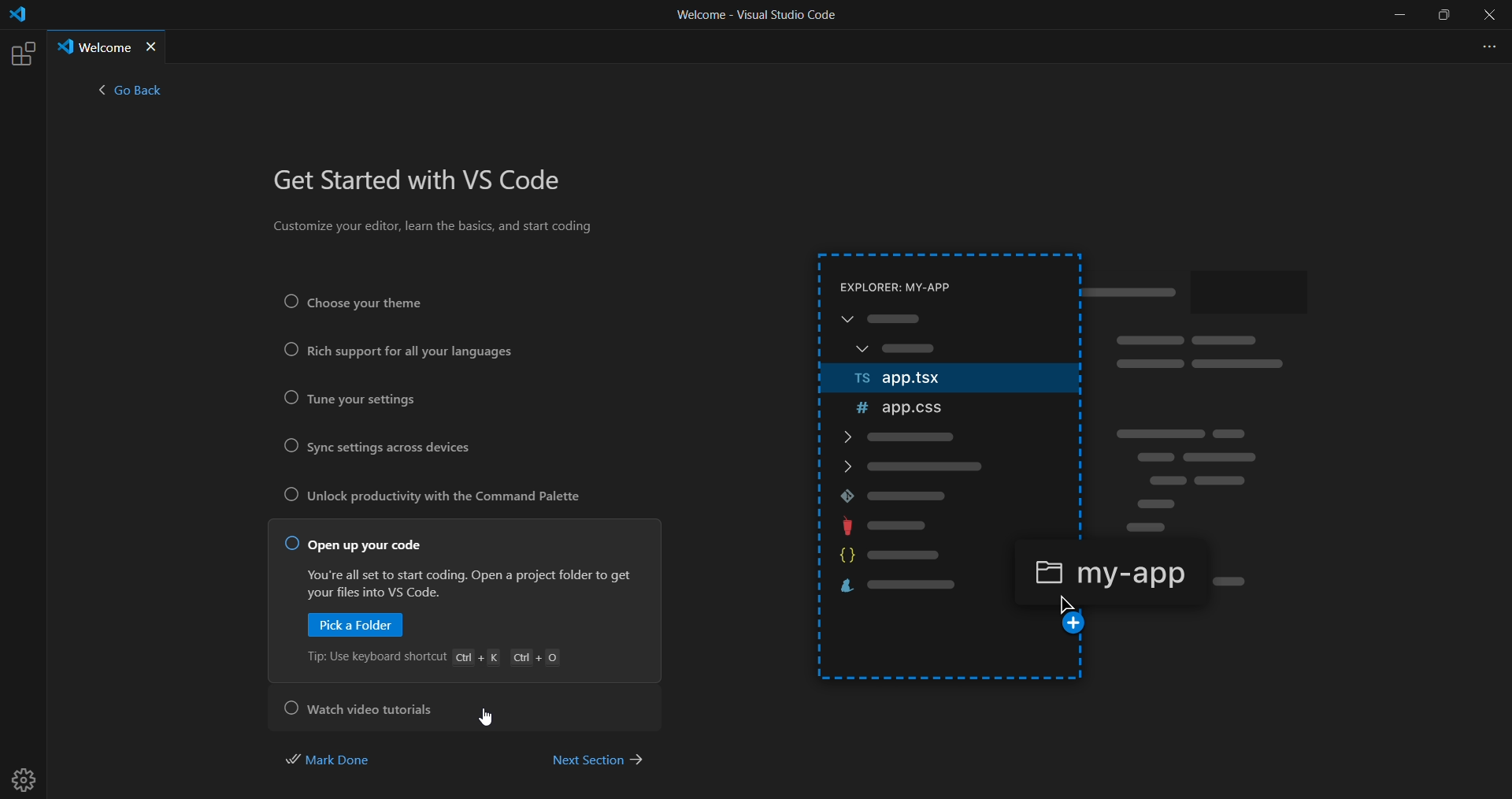 Image resolution: width=1512 pixels, height=799 pixels. I want to click on get started with VS Code, so click(424, 182).